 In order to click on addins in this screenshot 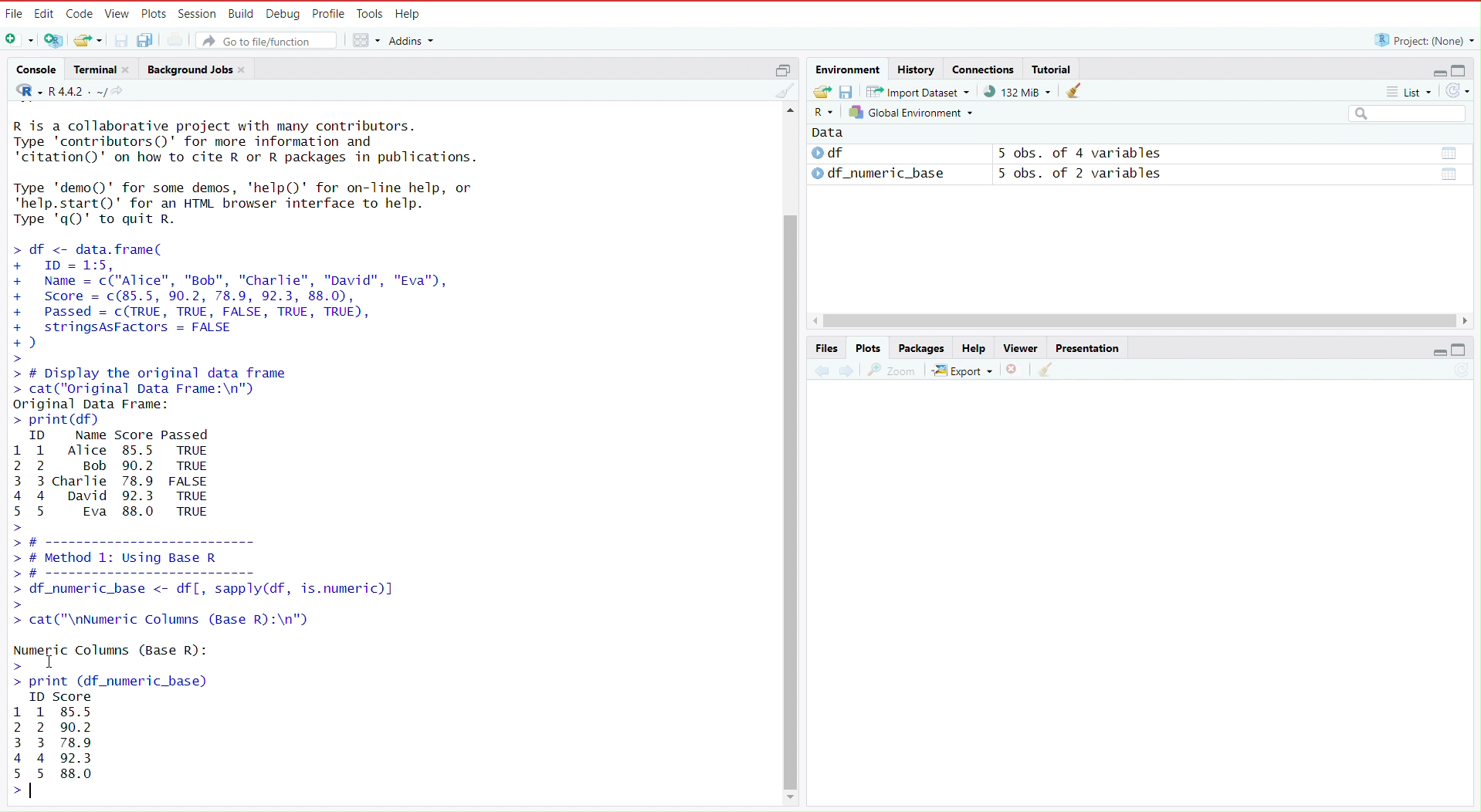, I will do `click(413, 39)`.